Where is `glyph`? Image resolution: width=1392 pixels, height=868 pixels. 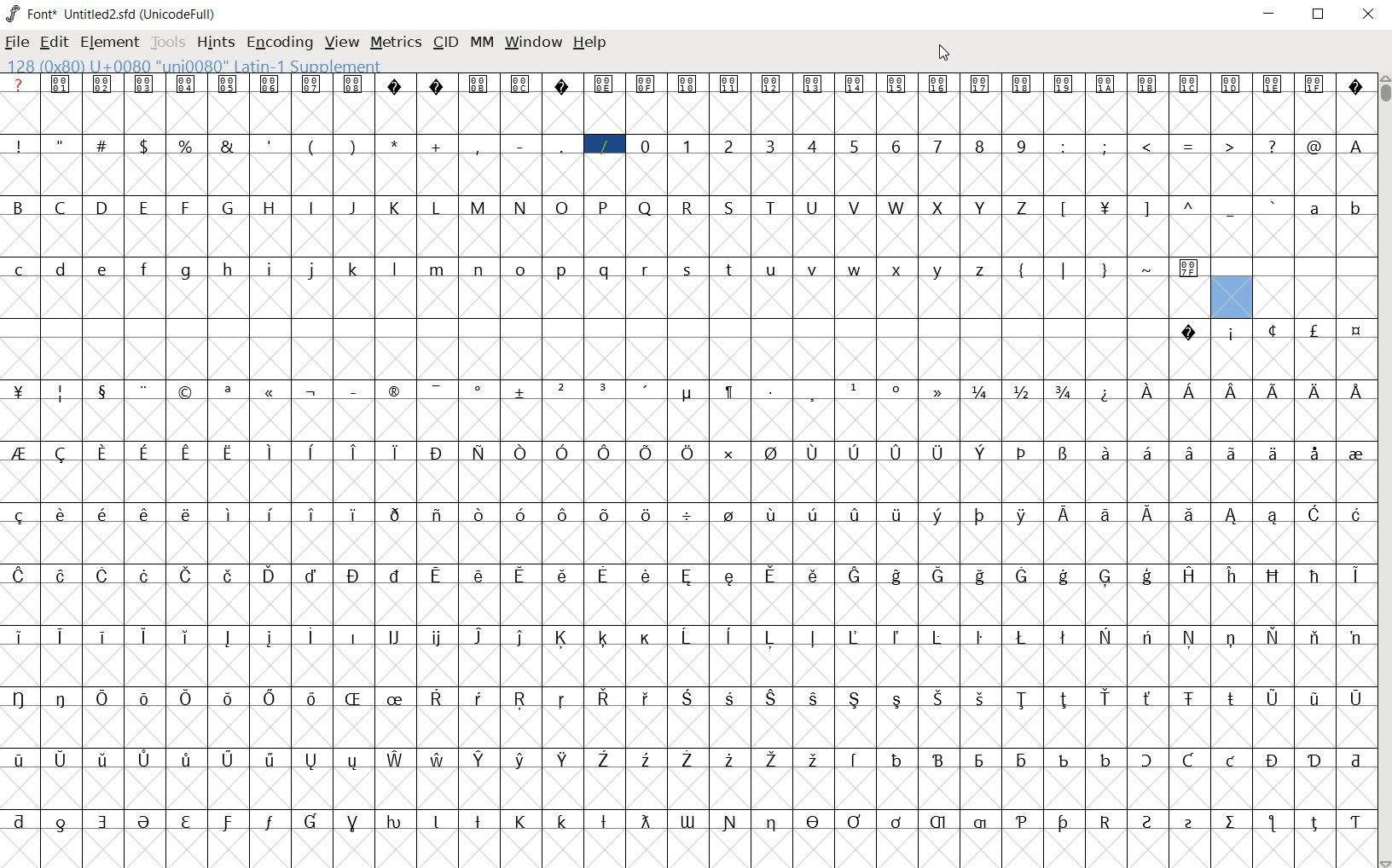 glyph is located at coordinates (729, 147).